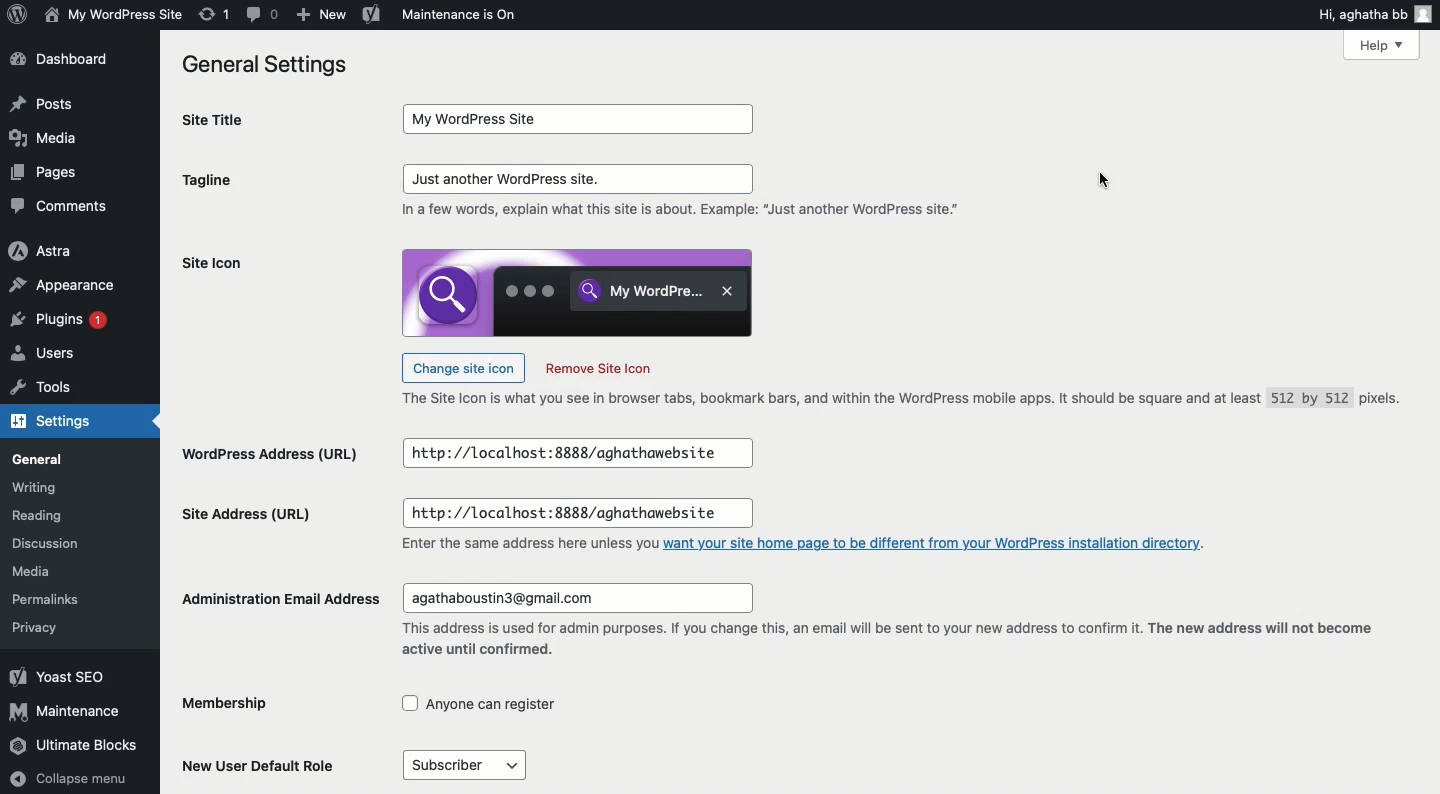  I want to click on input box, so click(577, 514).